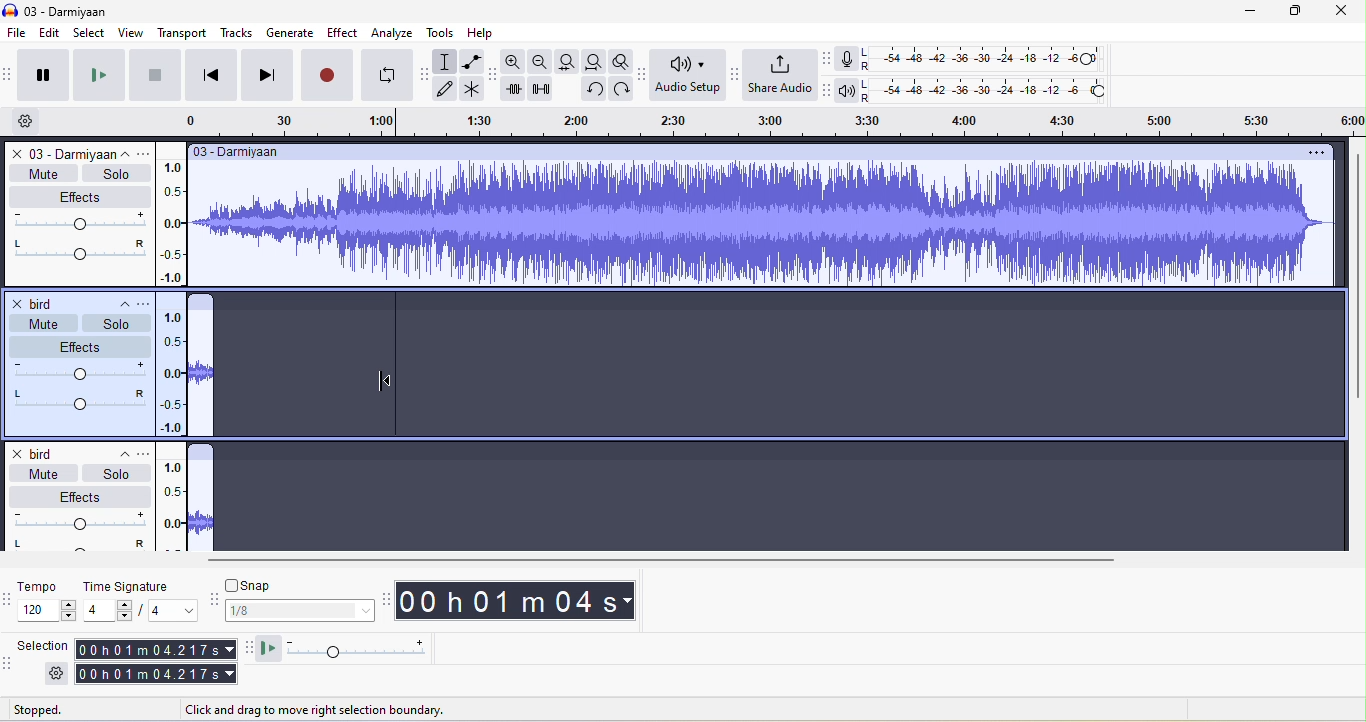 This screenshot has width=1366, height=722. I want to click on analyze, so click(393, 34).